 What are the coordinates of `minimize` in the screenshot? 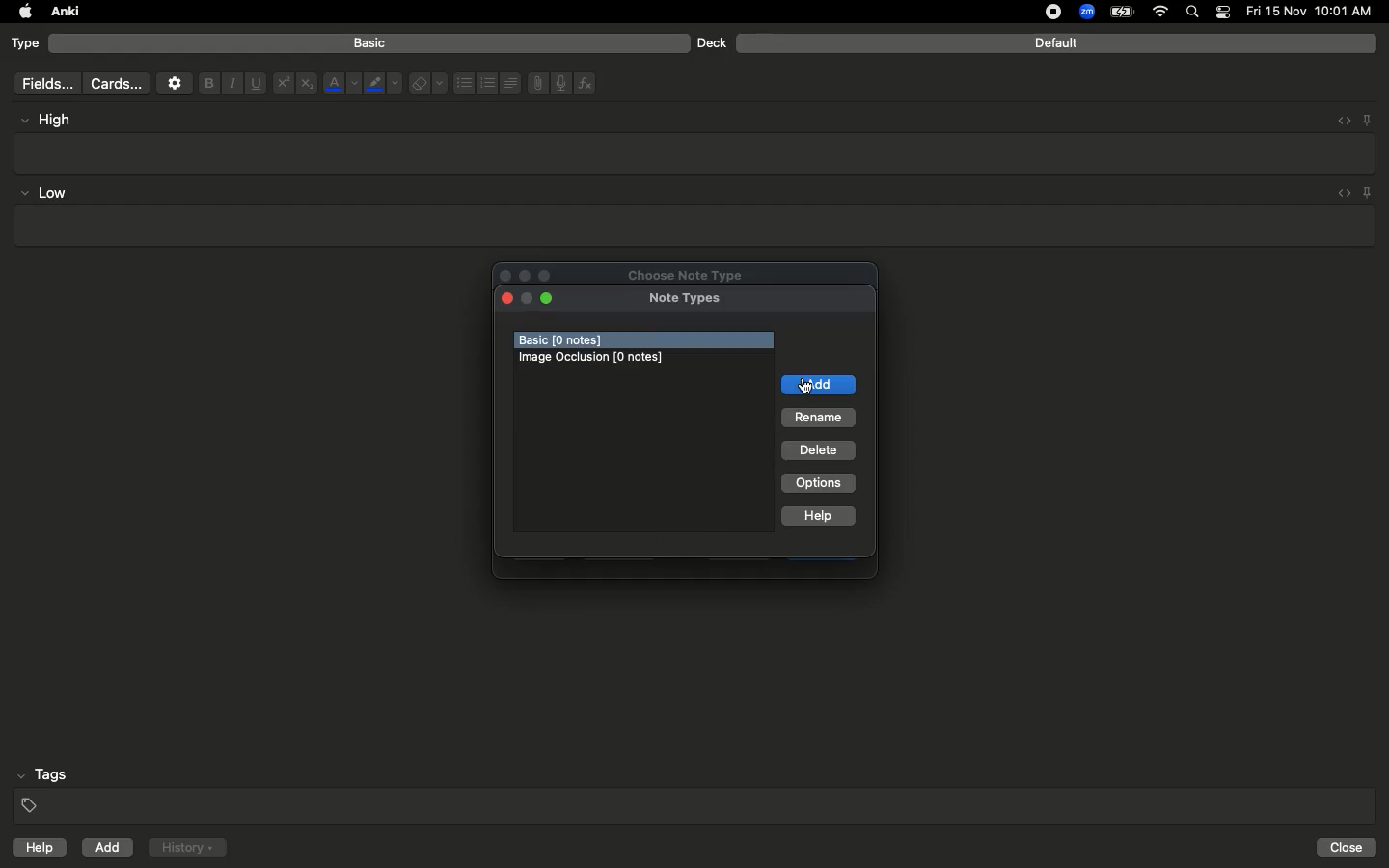 It's located at (527, 296).